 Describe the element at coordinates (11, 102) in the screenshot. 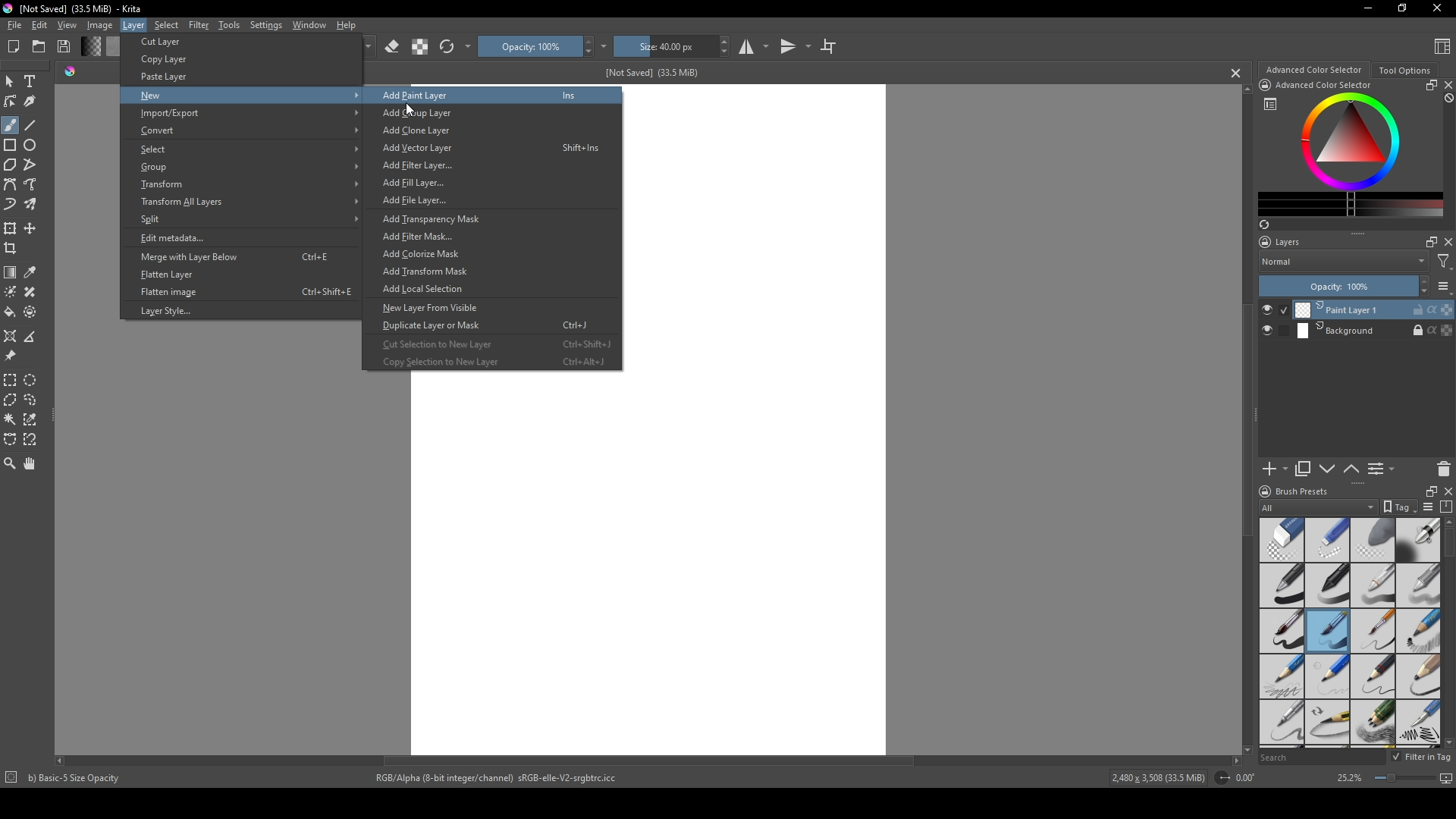

I see `edit shapes` at that location.